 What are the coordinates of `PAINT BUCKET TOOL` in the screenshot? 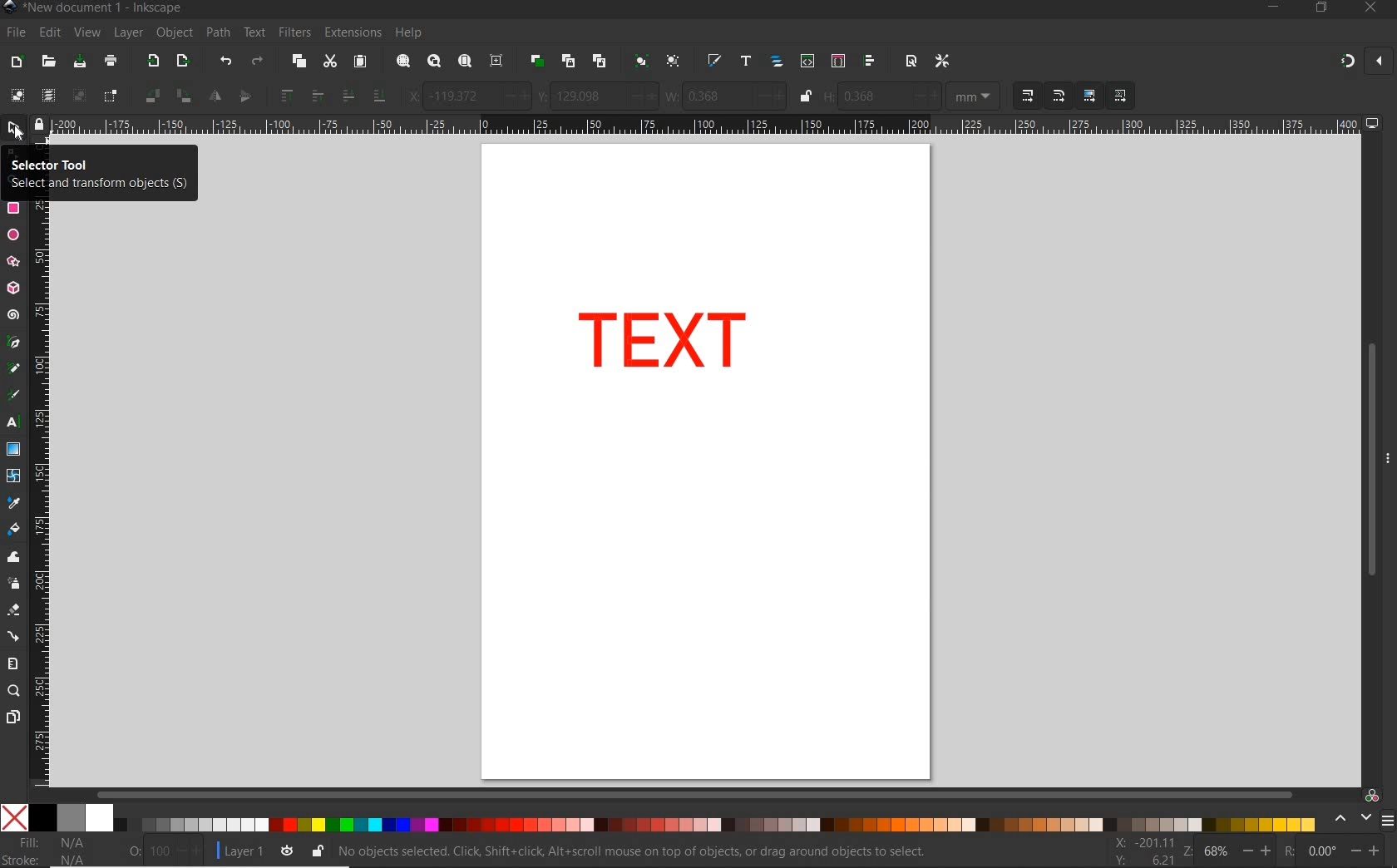 It's located at (13, 530).